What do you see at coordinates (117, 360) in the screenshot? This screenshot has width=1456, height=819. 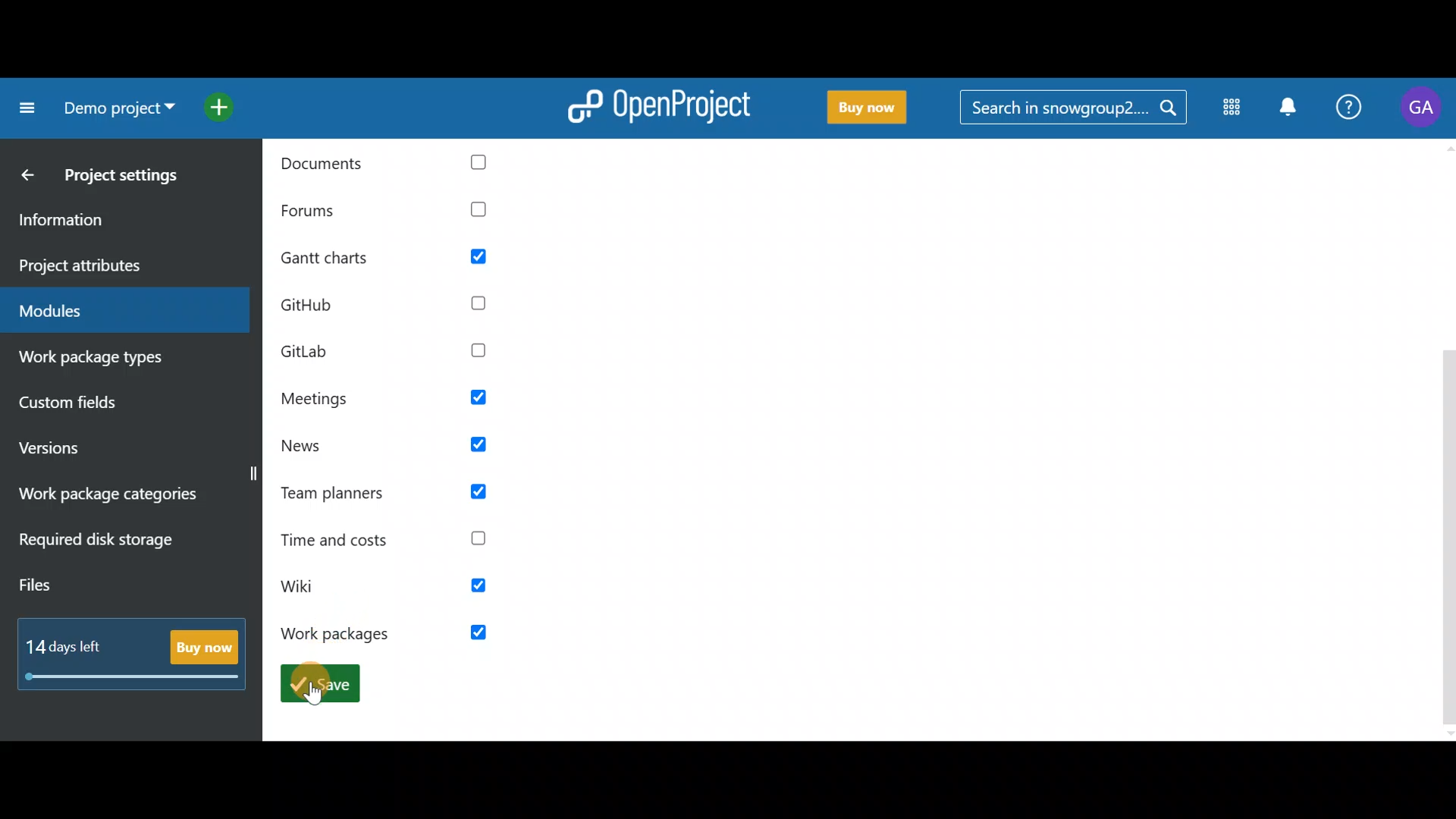 I see `Work package types` at bounding box center [117, 360].